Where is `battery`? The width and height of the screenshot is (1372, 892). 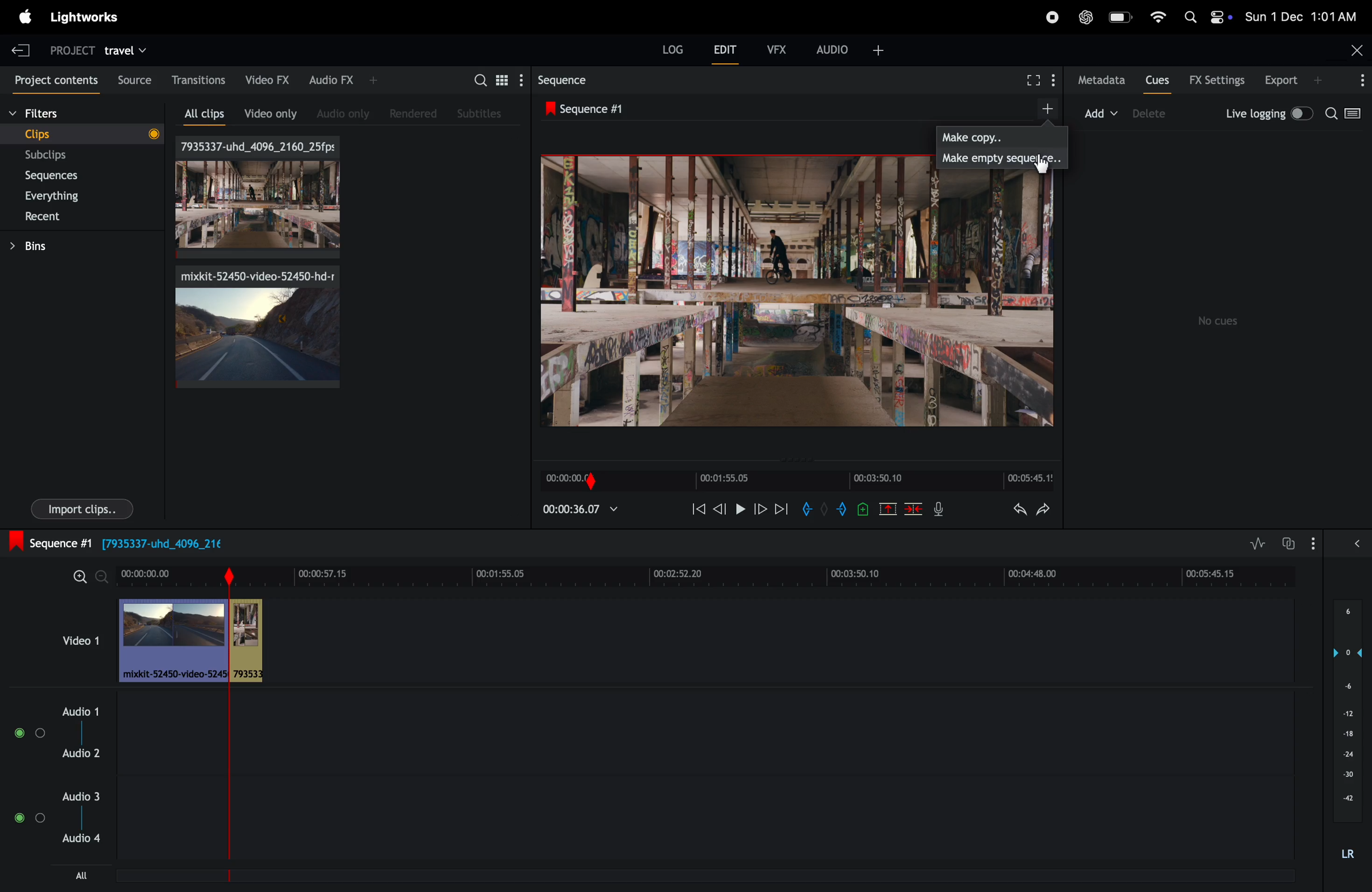 battery is located at coordinates (1120, 17).